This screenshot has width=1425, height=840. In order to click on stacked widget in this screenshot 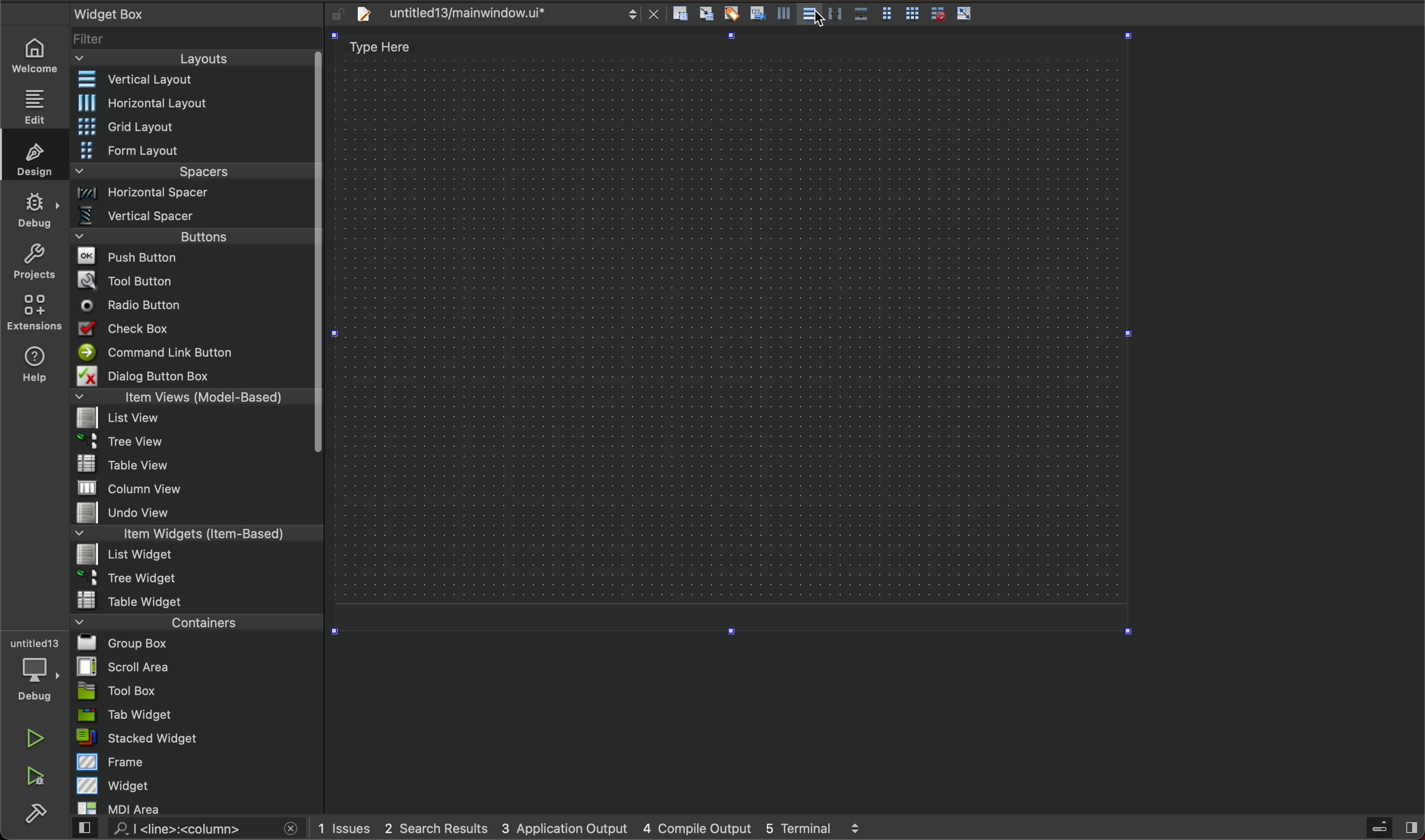, I will do `click(194, 739)`.